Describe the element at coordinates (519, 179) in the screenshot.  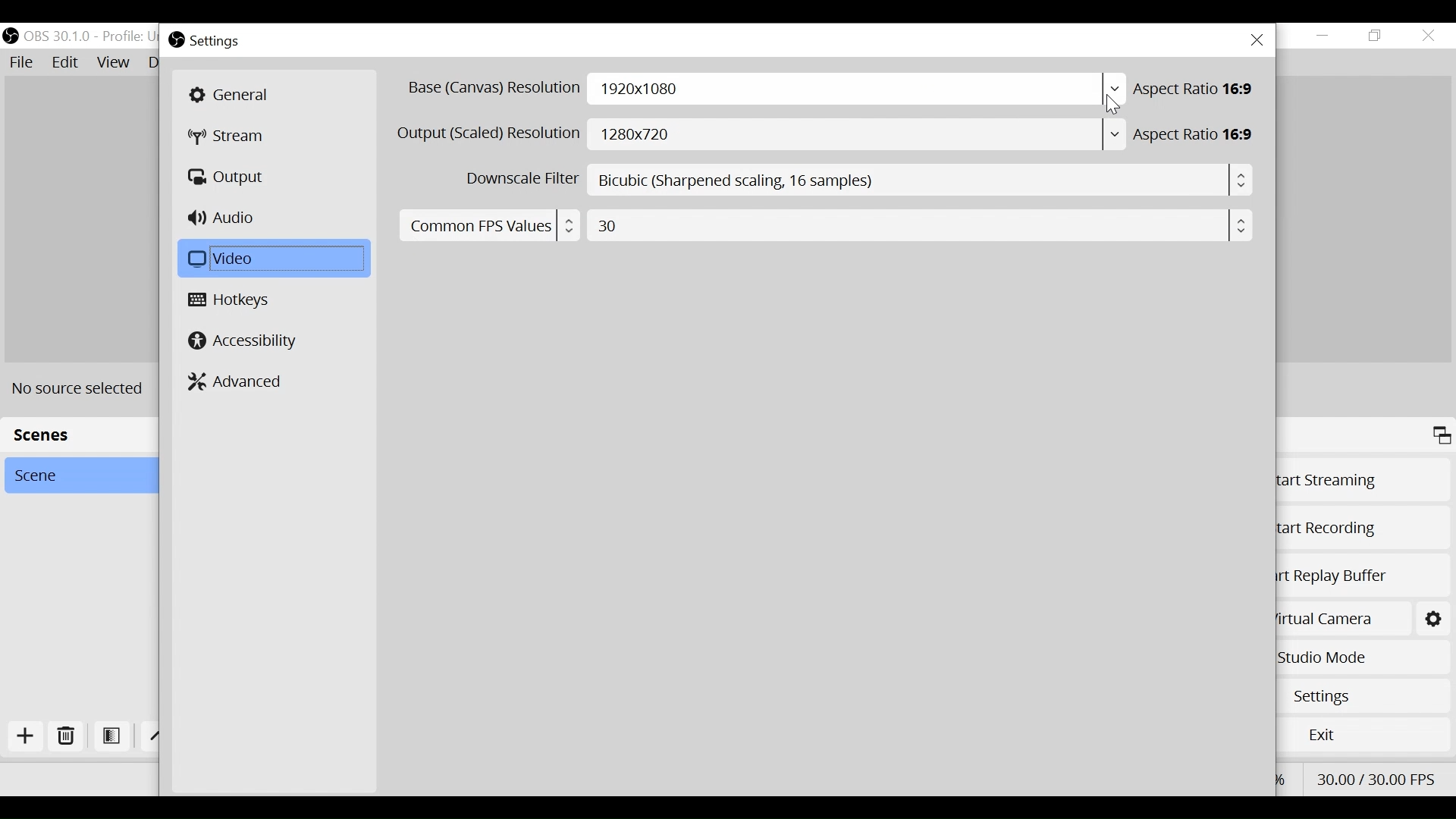
I see `Downscale Filter` at that location.